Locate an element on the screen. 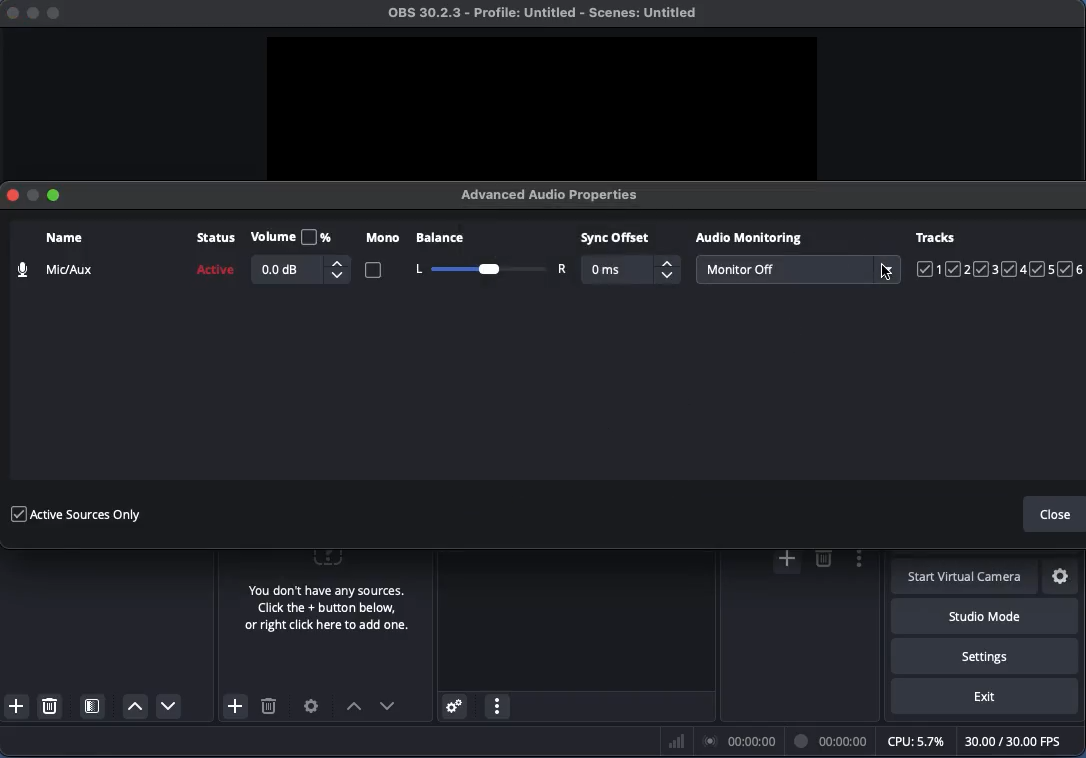 The image size is (1086, 758). delete is located at coordinates (823, 559).